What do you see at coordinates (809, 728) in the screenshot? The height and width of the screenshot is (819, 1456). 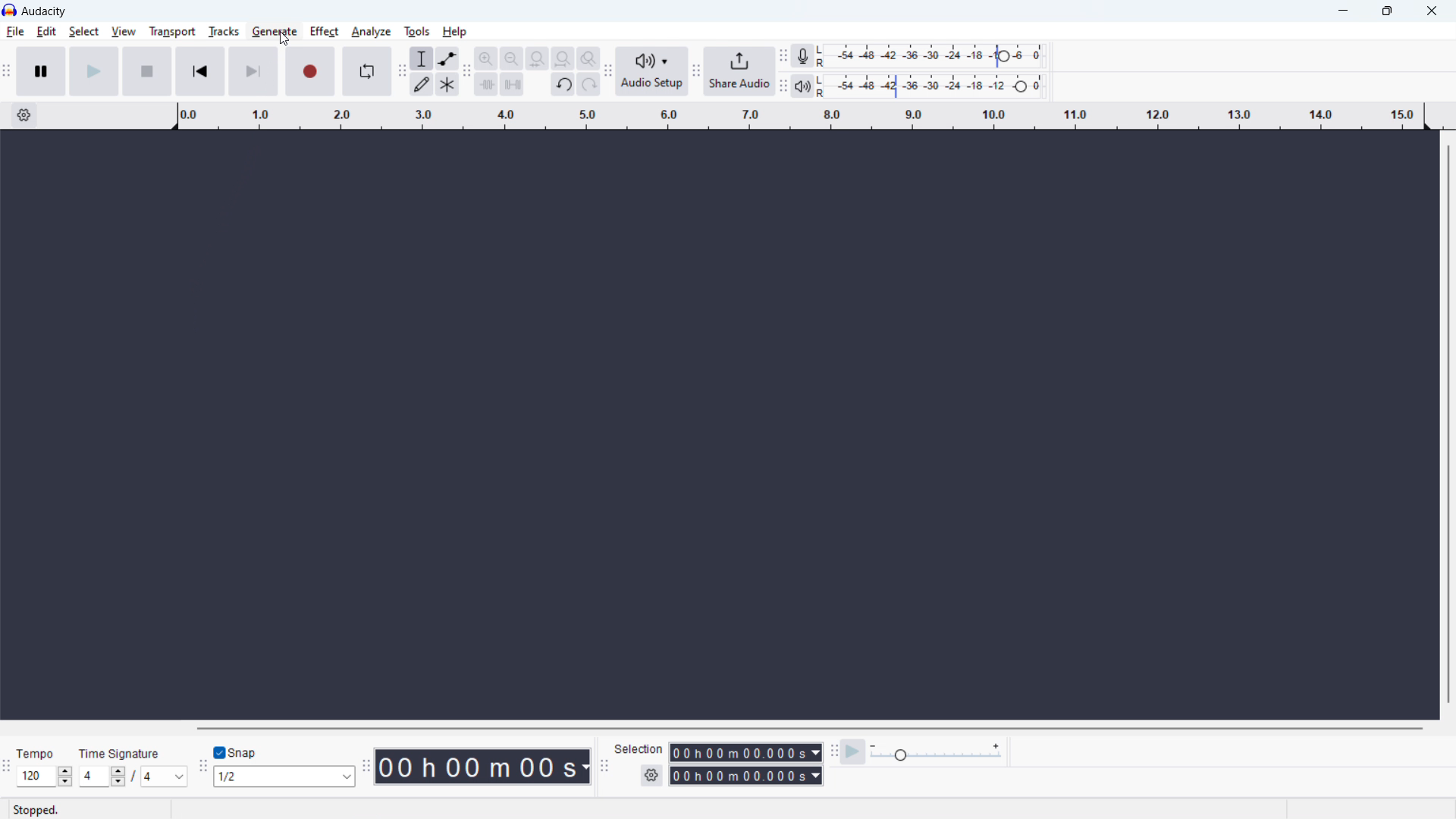 I see `horizontal scrollbar` at bounding box center [809, 728].